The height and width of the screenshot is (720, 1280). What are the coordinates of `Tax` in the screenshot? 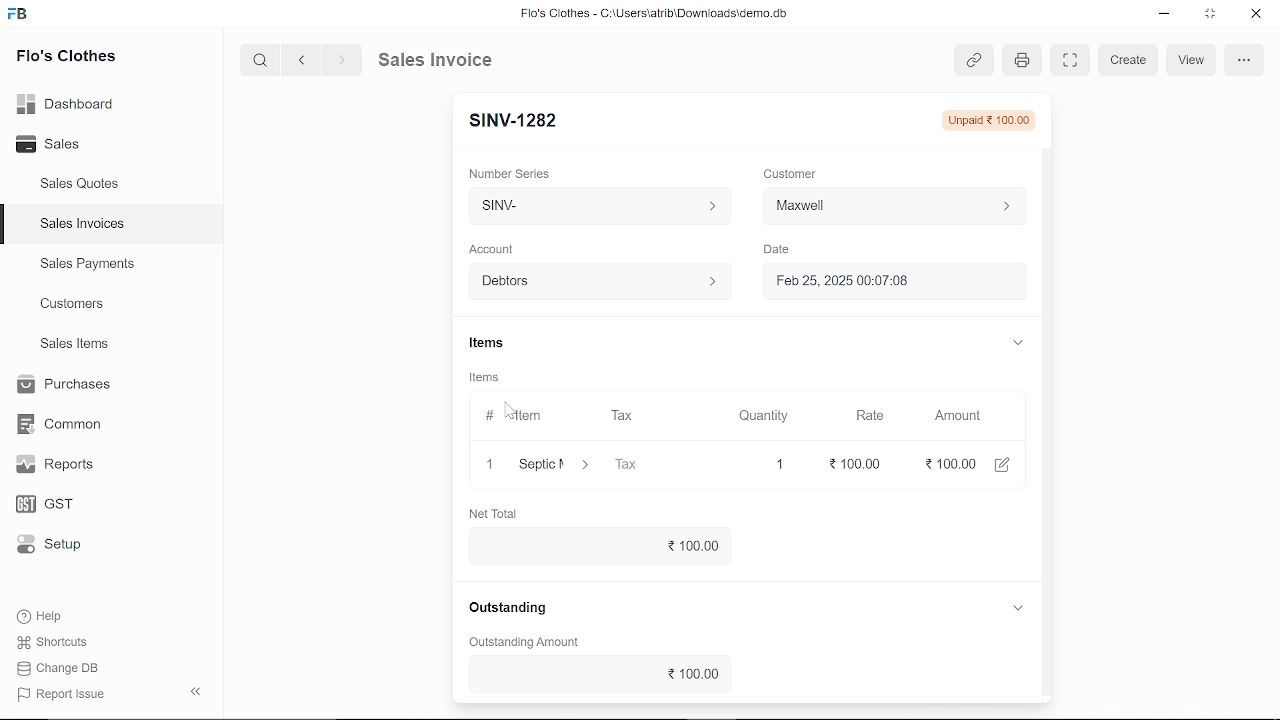 It's located at (623, 417).